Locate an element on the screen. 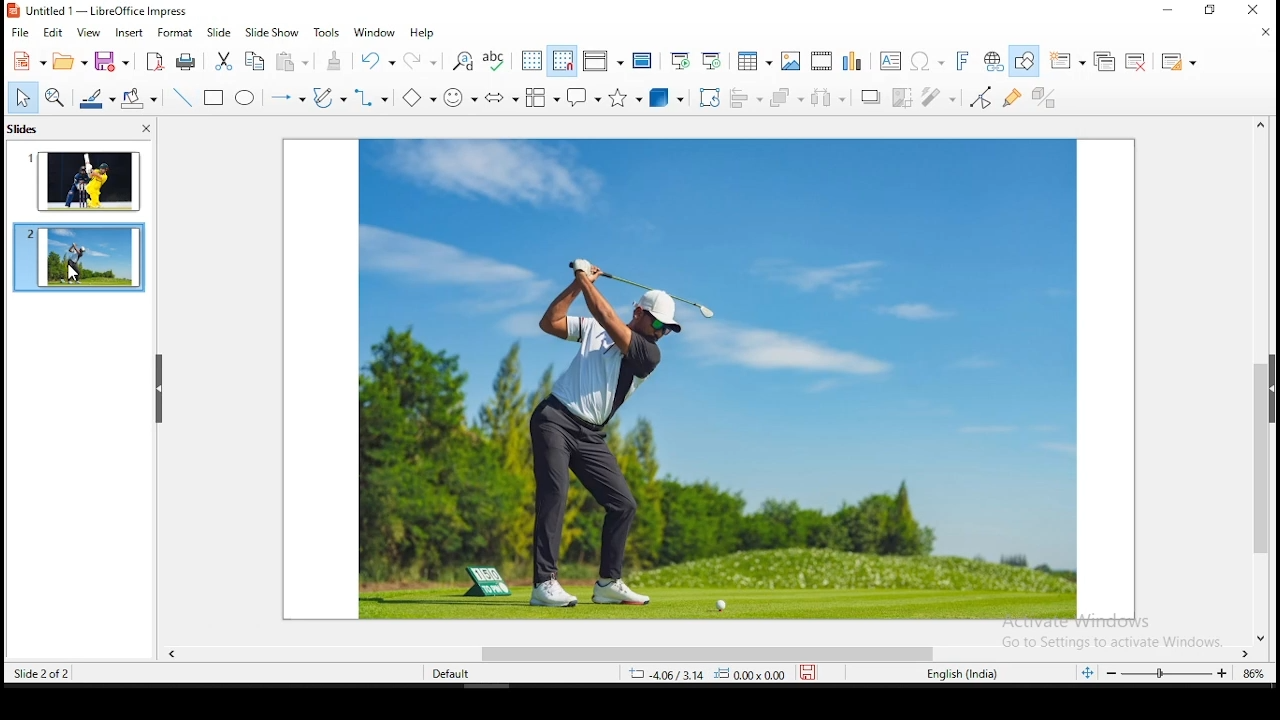  copy is located at coordinates (252, 61).